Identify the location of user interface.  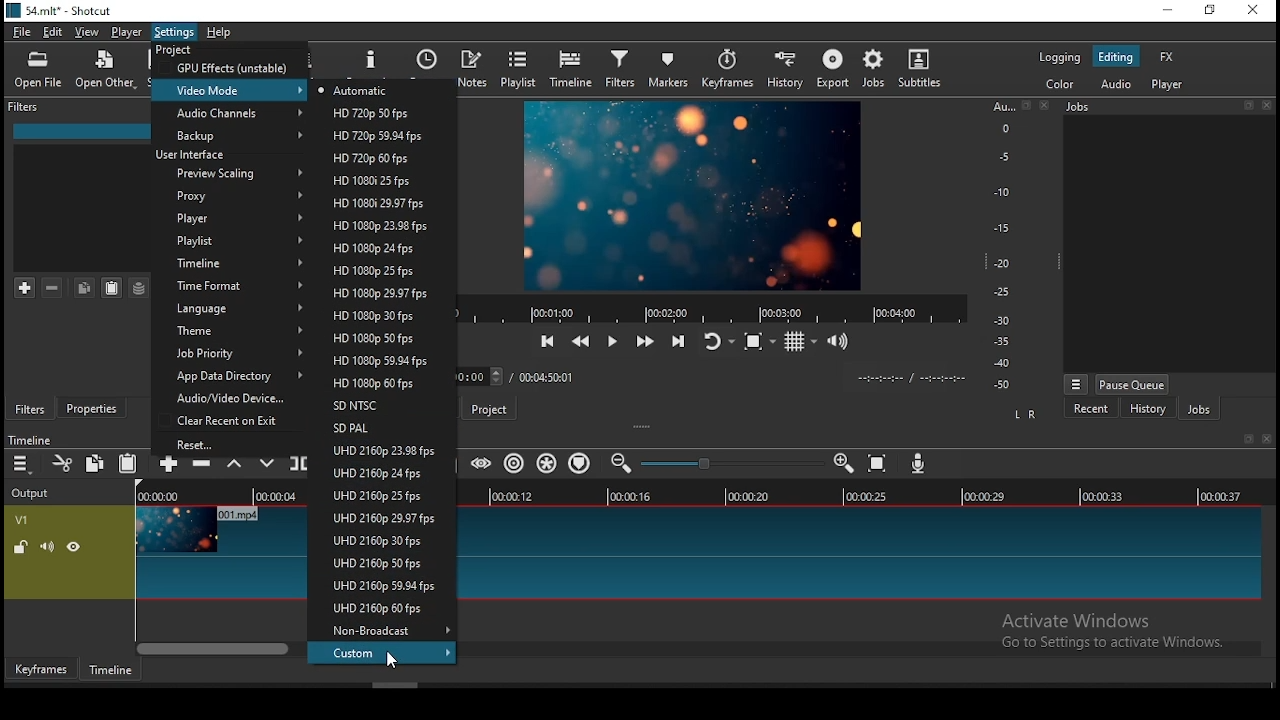
(196, 154).